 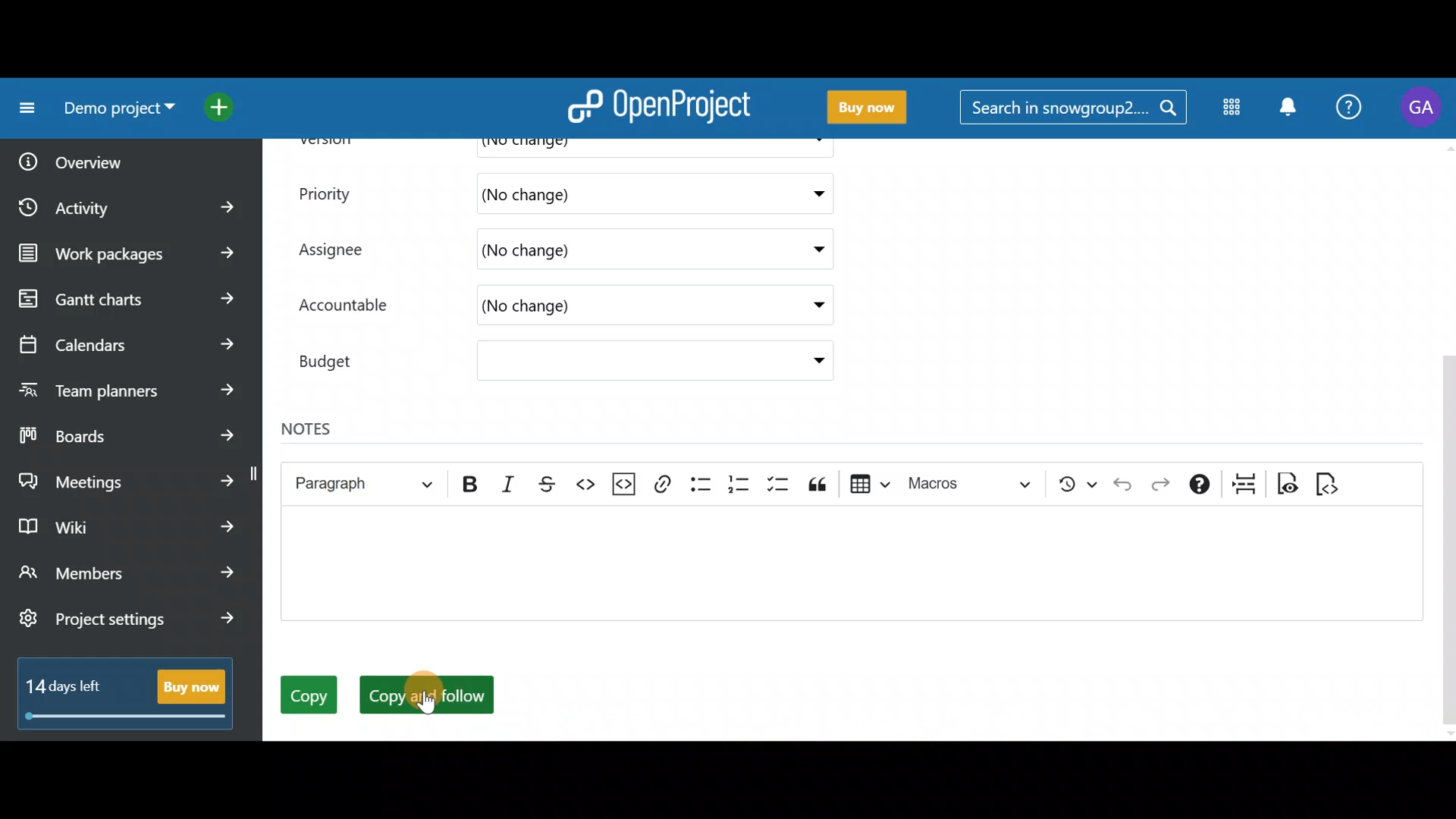 I want to click on Undo, so click(x=1123, y=486).